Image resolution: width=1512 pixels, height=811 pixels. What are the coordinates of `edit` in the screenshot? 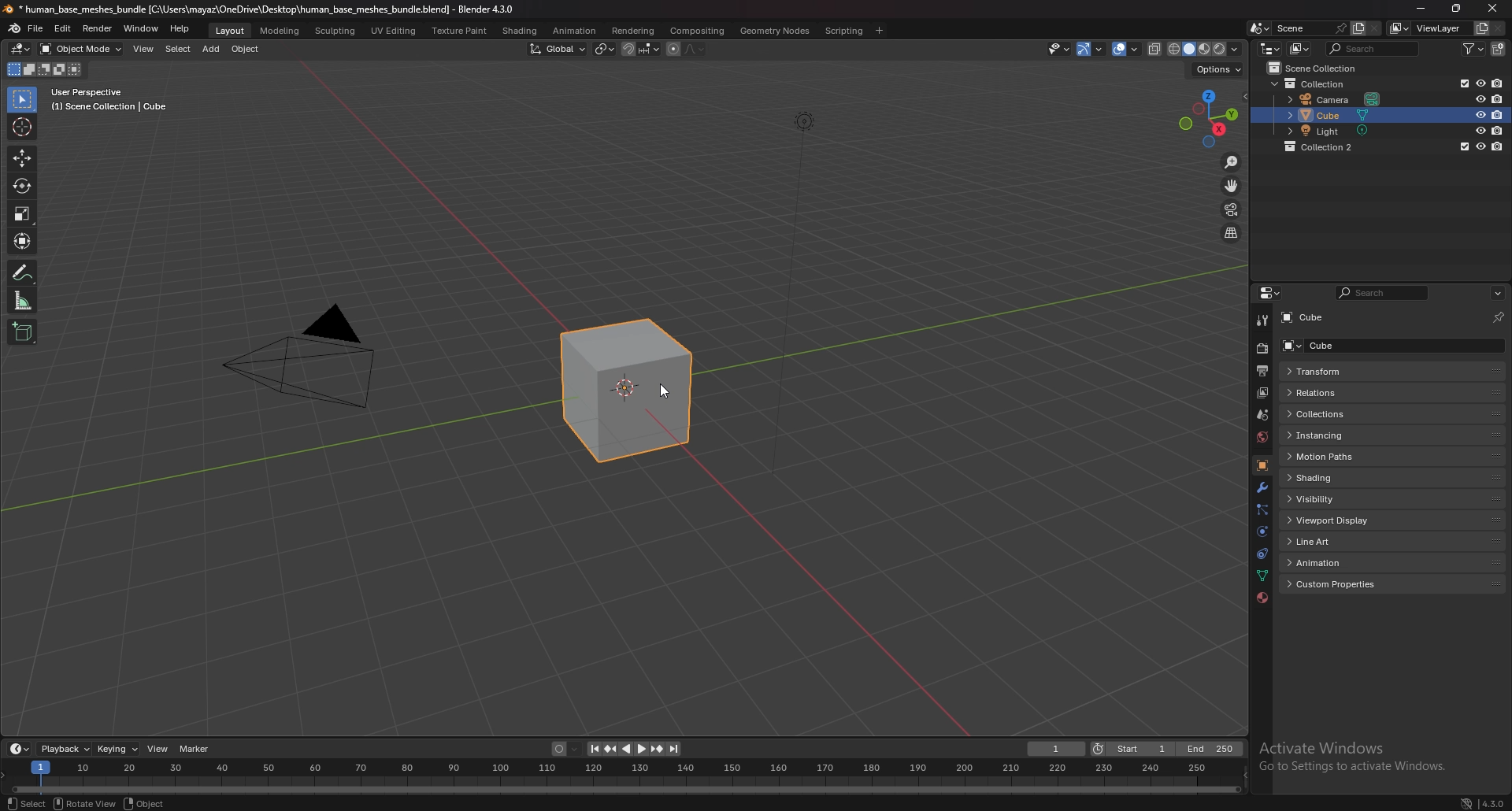 It's located at (63, 30).